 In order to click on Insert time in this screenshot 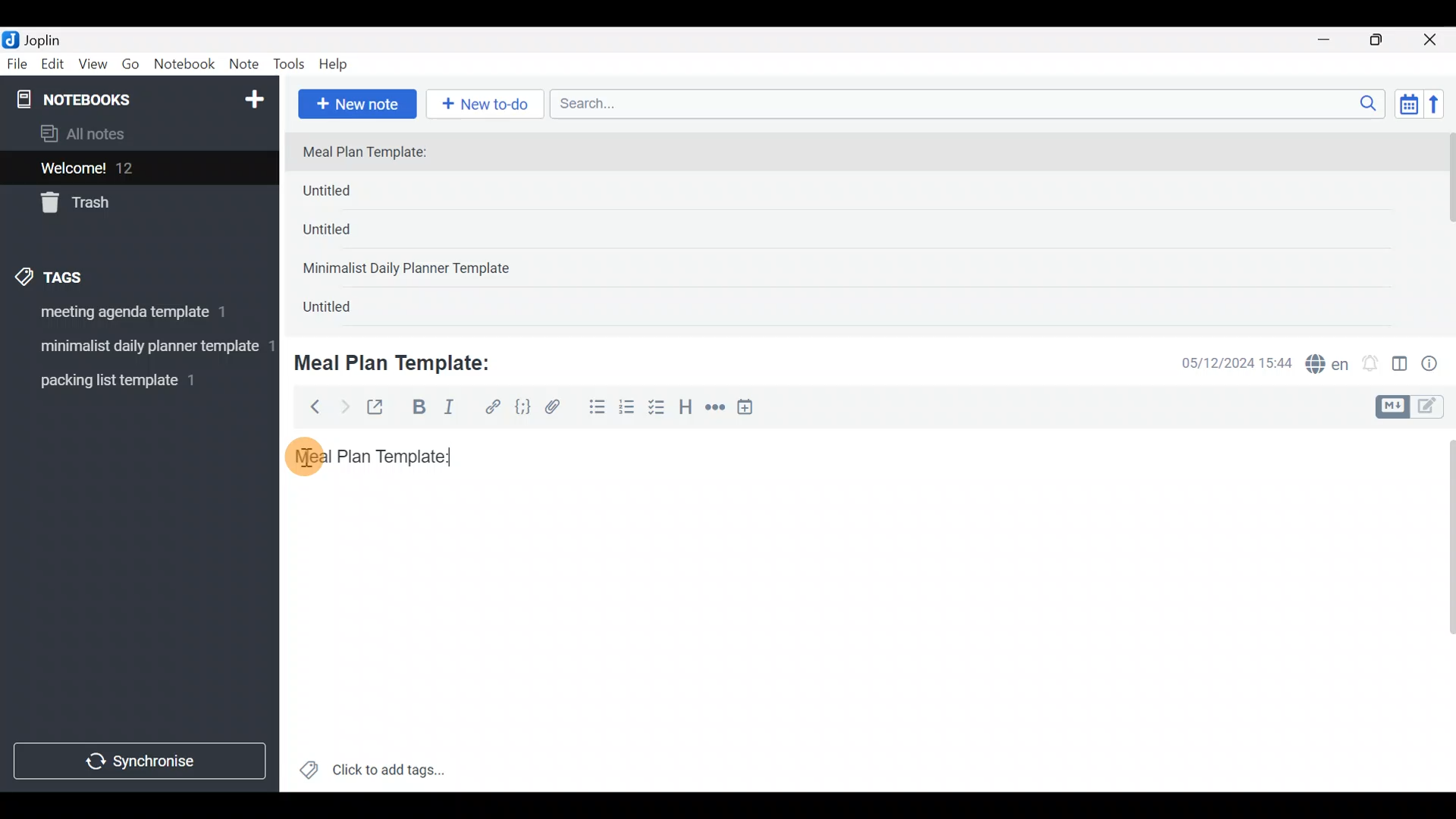, I will do `click(752, 409)`.